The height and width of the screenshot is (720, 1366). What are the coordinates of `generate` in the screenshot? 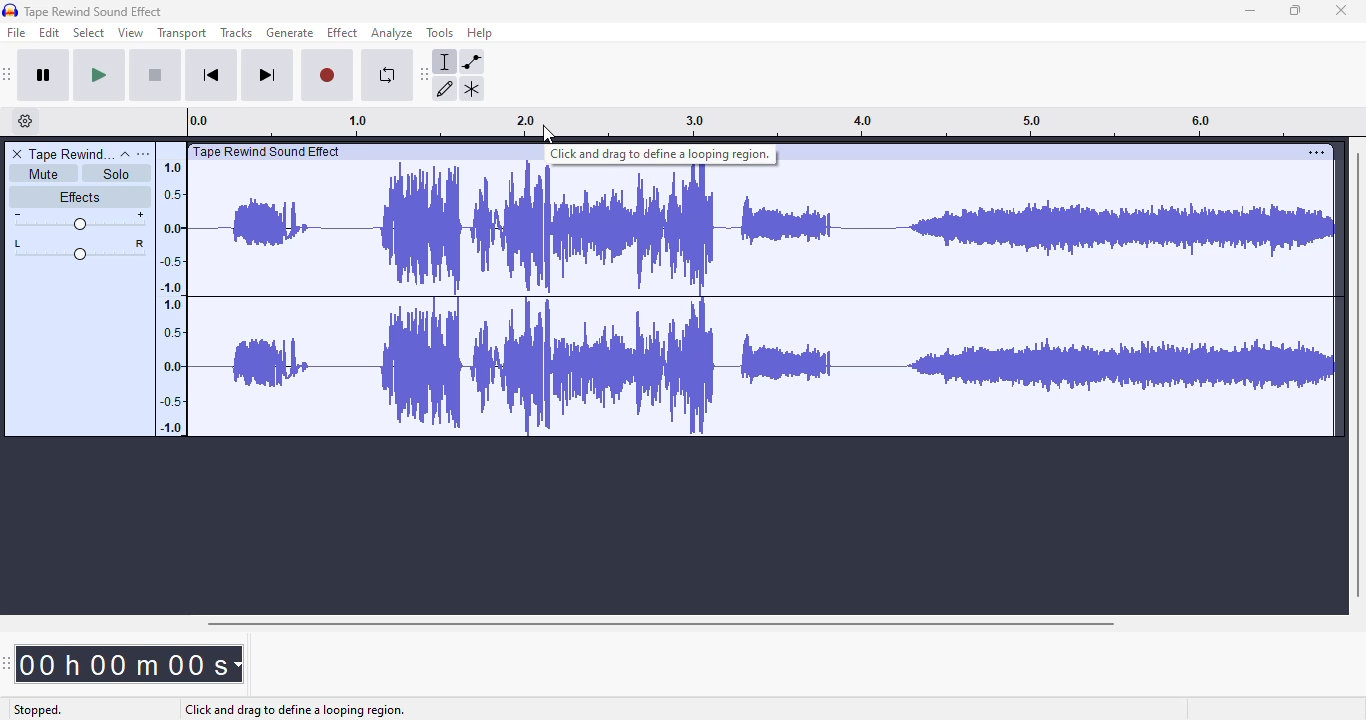 It's located at (290, 33).